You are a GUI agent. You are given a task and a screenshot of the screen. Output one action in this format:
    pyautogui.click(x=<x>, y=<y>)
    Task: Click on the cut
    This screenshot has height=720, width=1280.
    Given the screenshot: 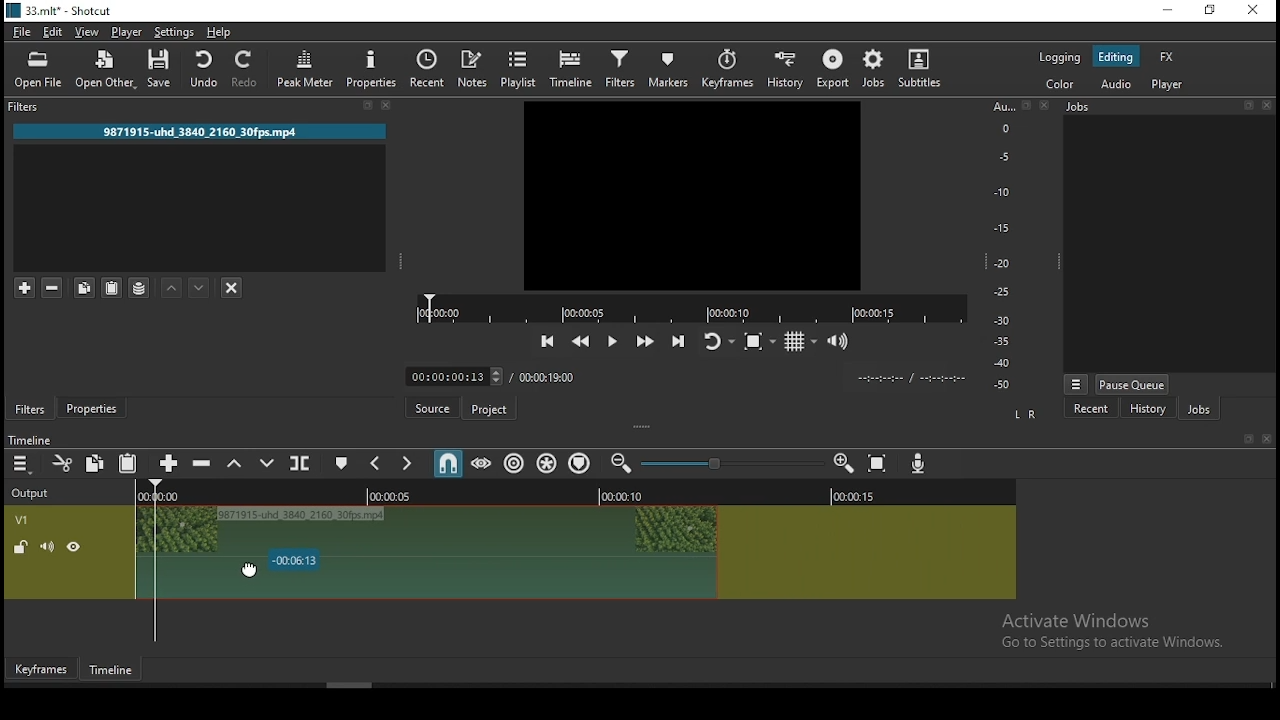 What is the action you would take?
    pyautogui.click(x=61, y=463)
    